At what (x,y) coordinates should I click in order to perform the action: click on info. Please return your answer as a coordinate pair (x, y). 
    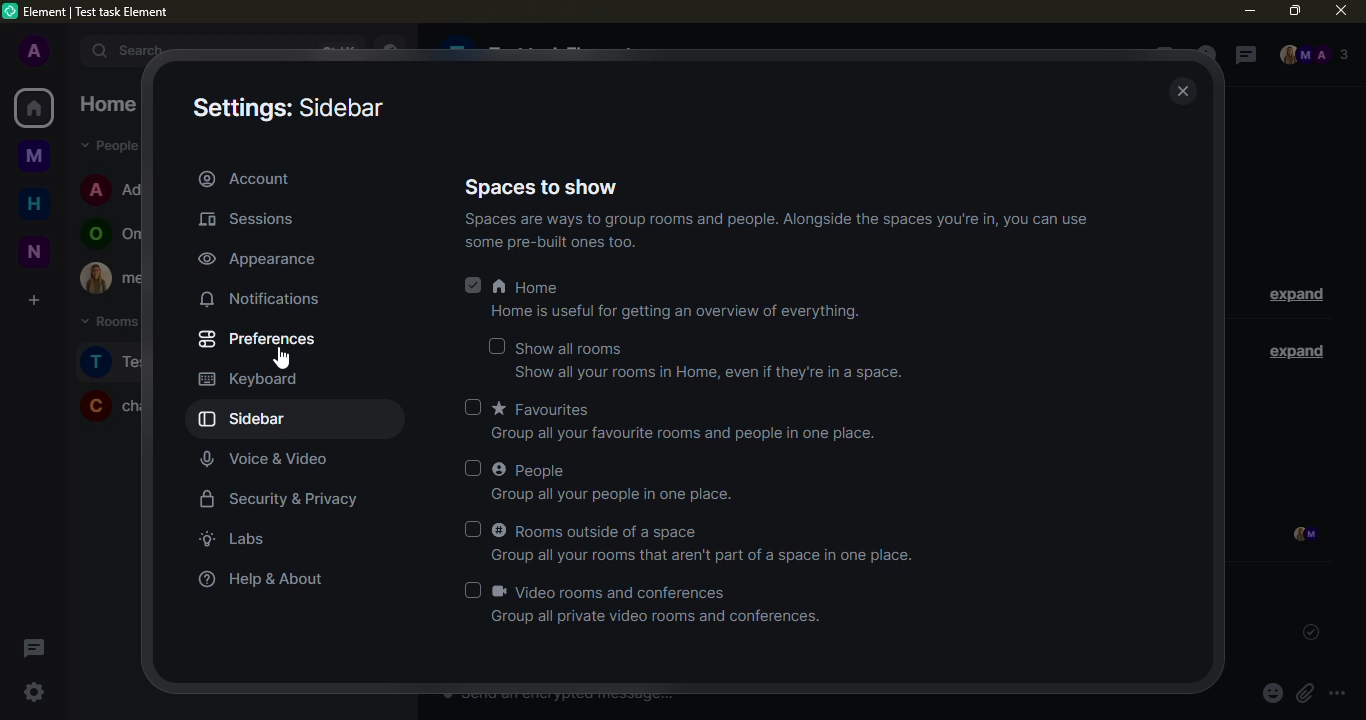
    Looking at the image, I should click on (783, 229).